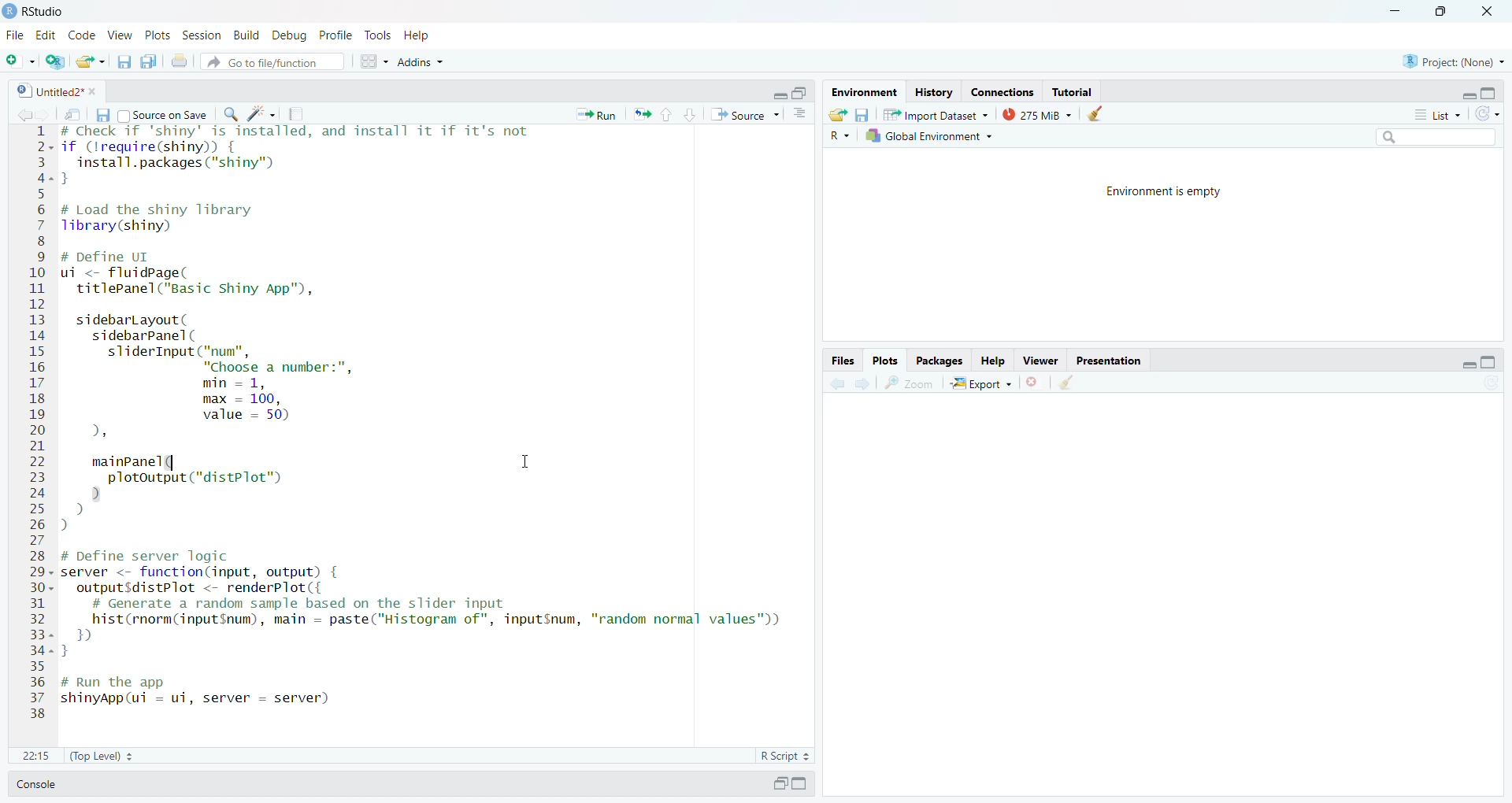 The width and height of the screenshot is (1512, 803). I want to click on up, so click(668, 115).